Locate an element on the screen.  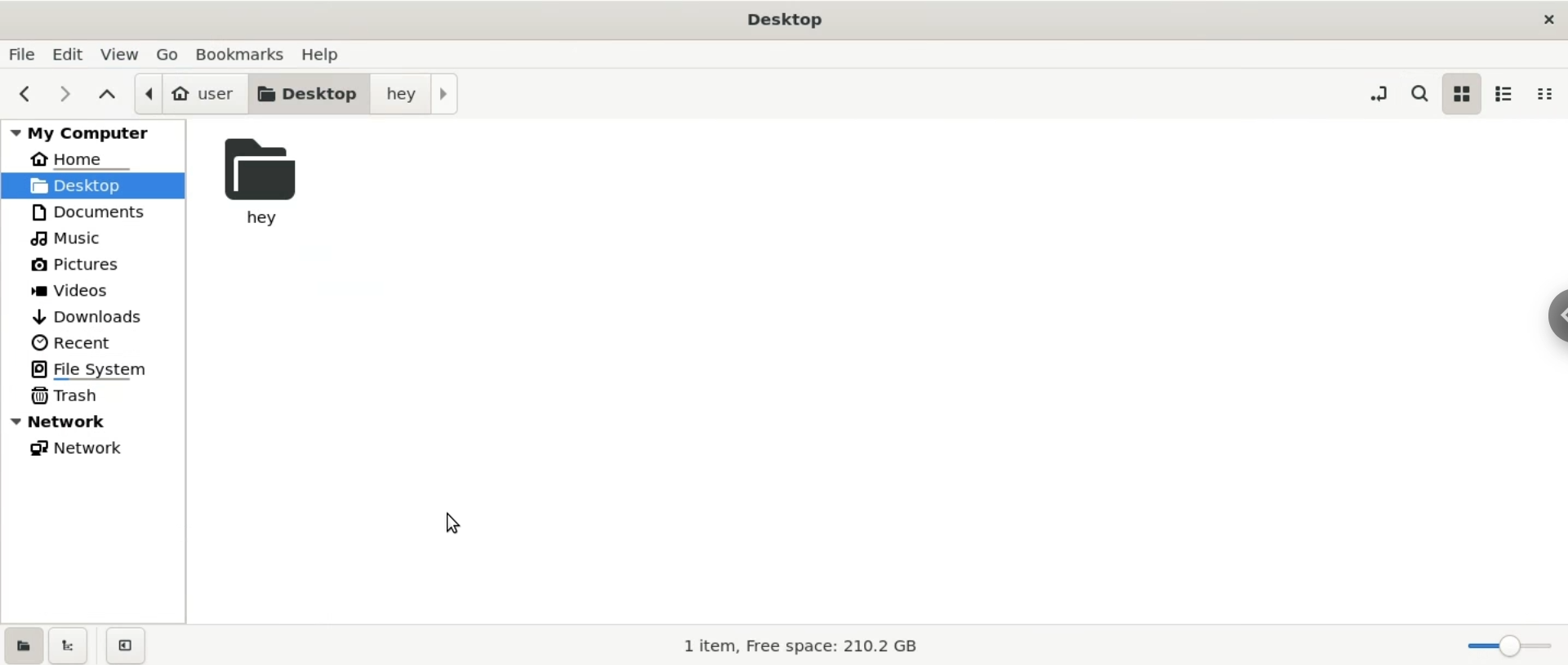
network is located at coordinates (101, 447).